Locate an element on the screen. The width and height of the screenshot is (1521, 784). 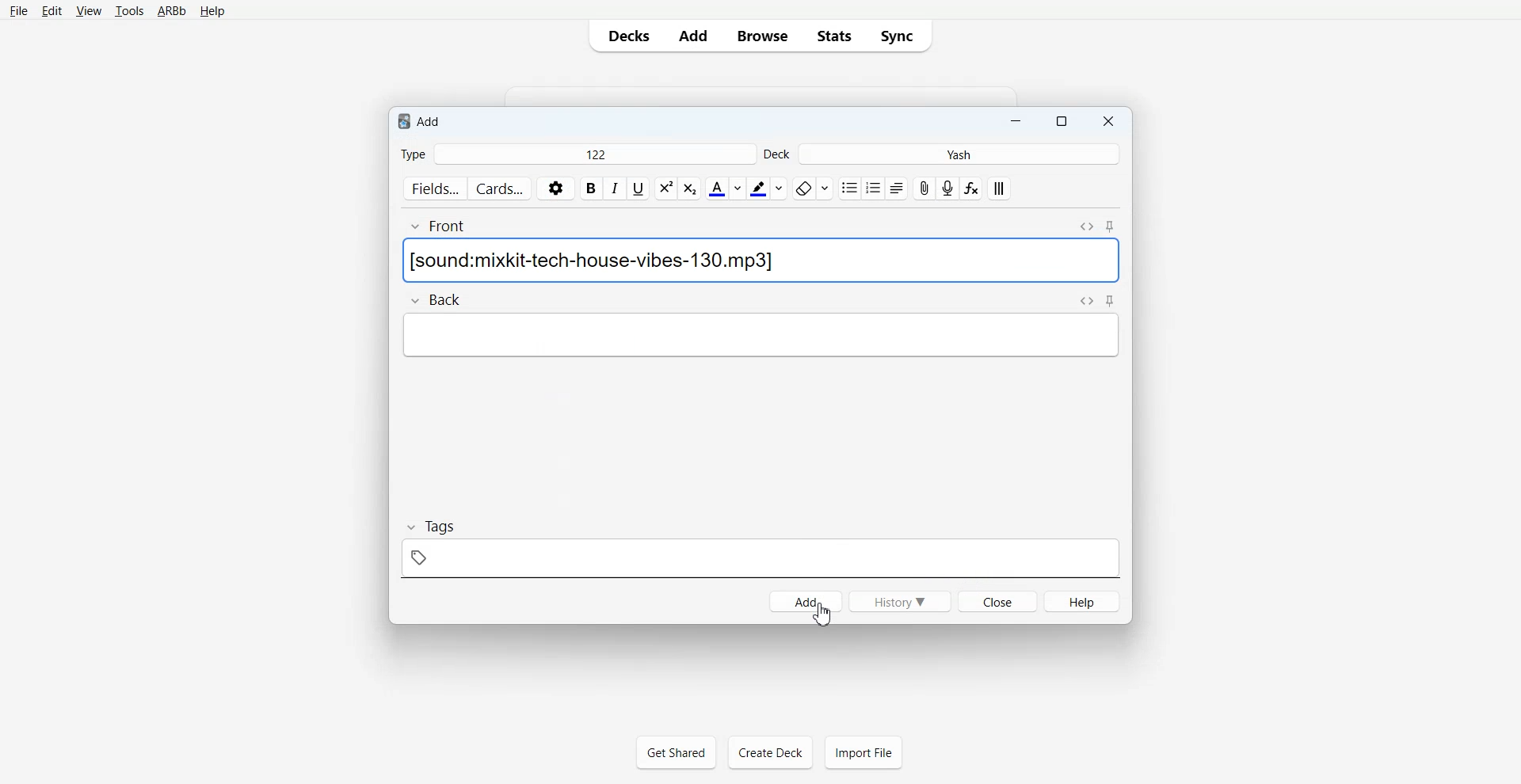
Import File is located at coordinates (863, 752).